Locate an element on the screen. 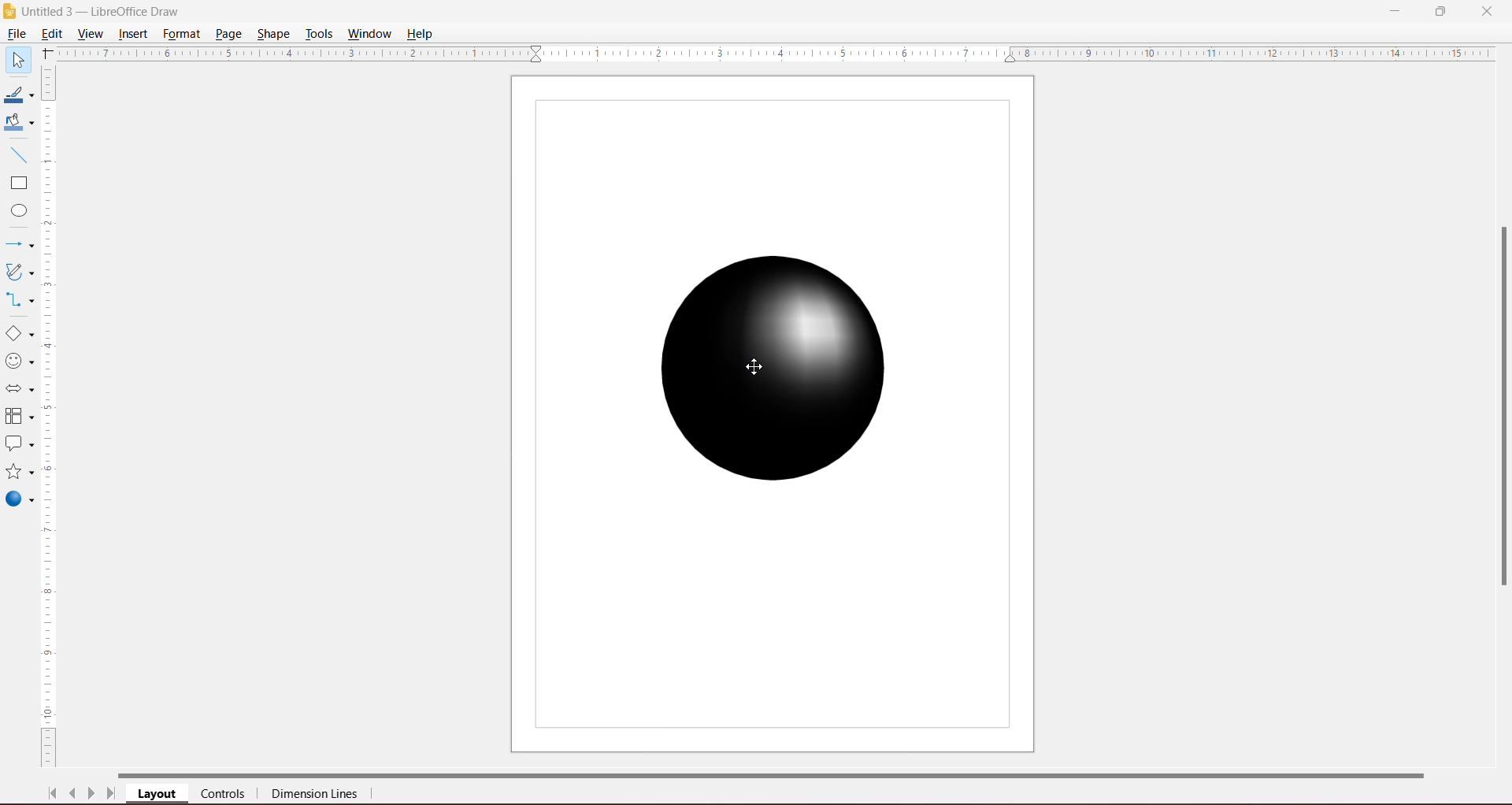 The width and height of the screenshot is (1512, 805). Diagram Title - Application Name is located at coordinates (106, 11).